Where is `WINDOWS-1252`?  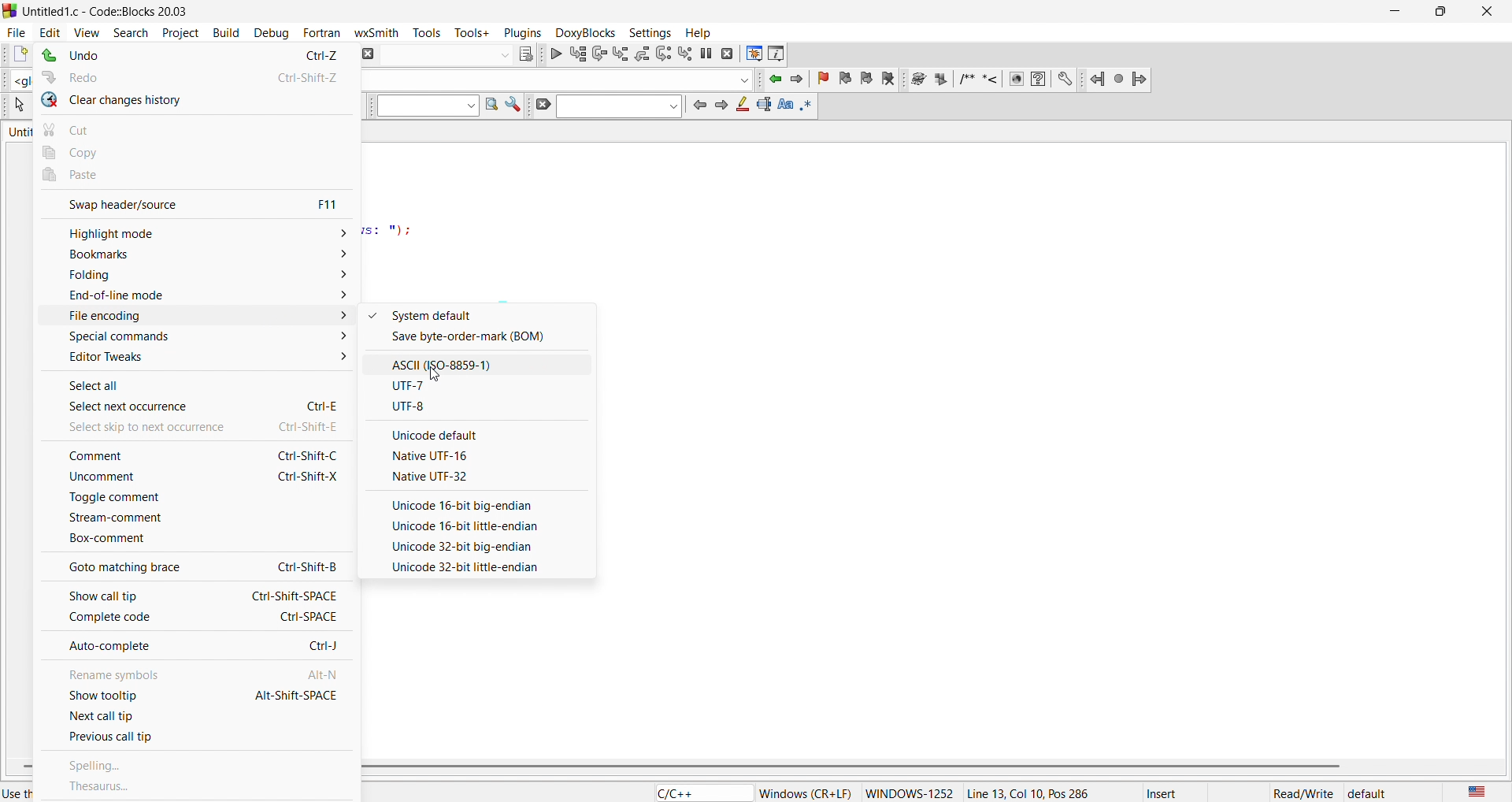
WINDOWS-1252 is located at coordinates (910, 790).